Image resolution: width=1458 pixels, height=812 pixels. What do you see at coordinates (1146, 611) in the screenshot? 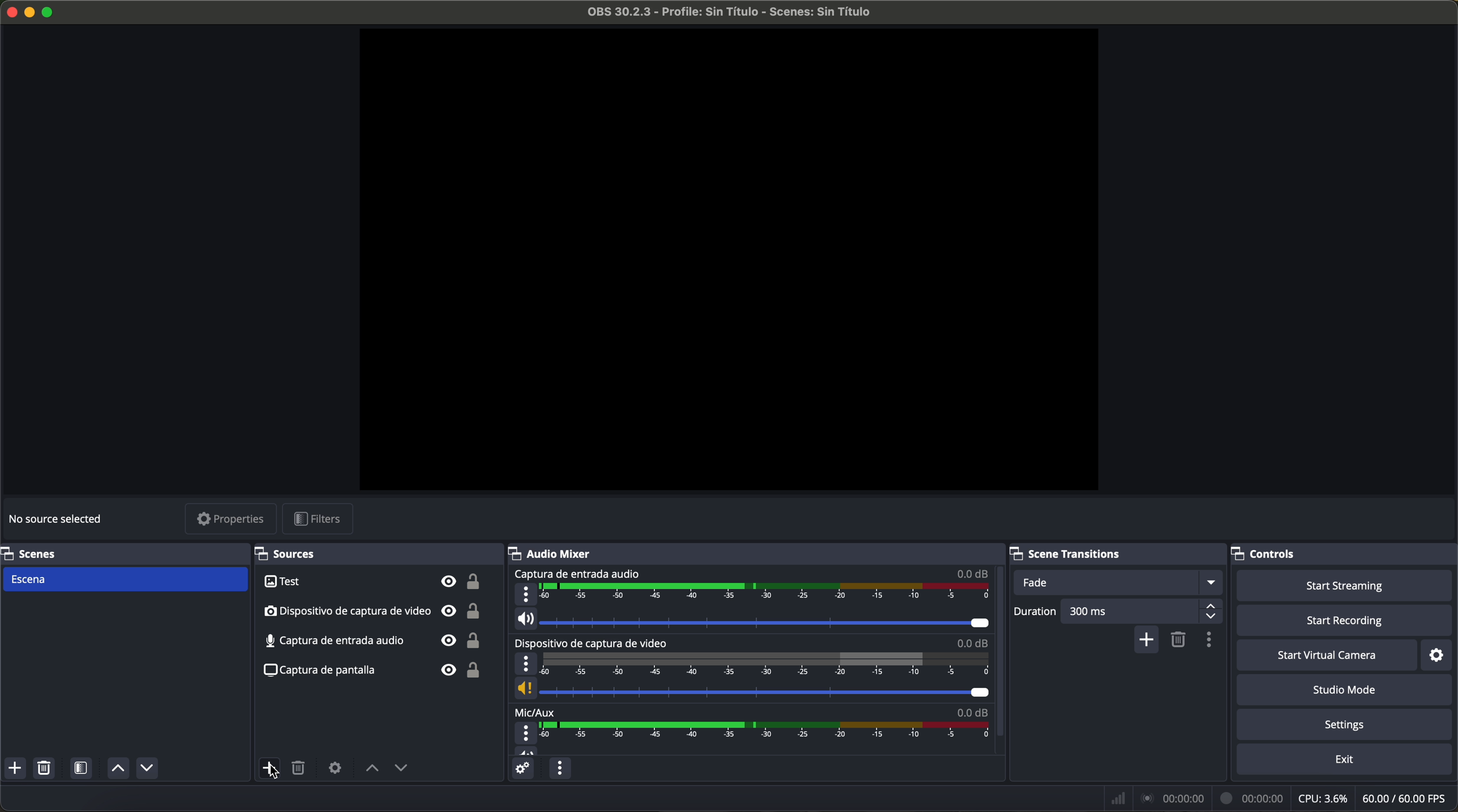
I see `300 ms` at bounding box center [1146, 611].